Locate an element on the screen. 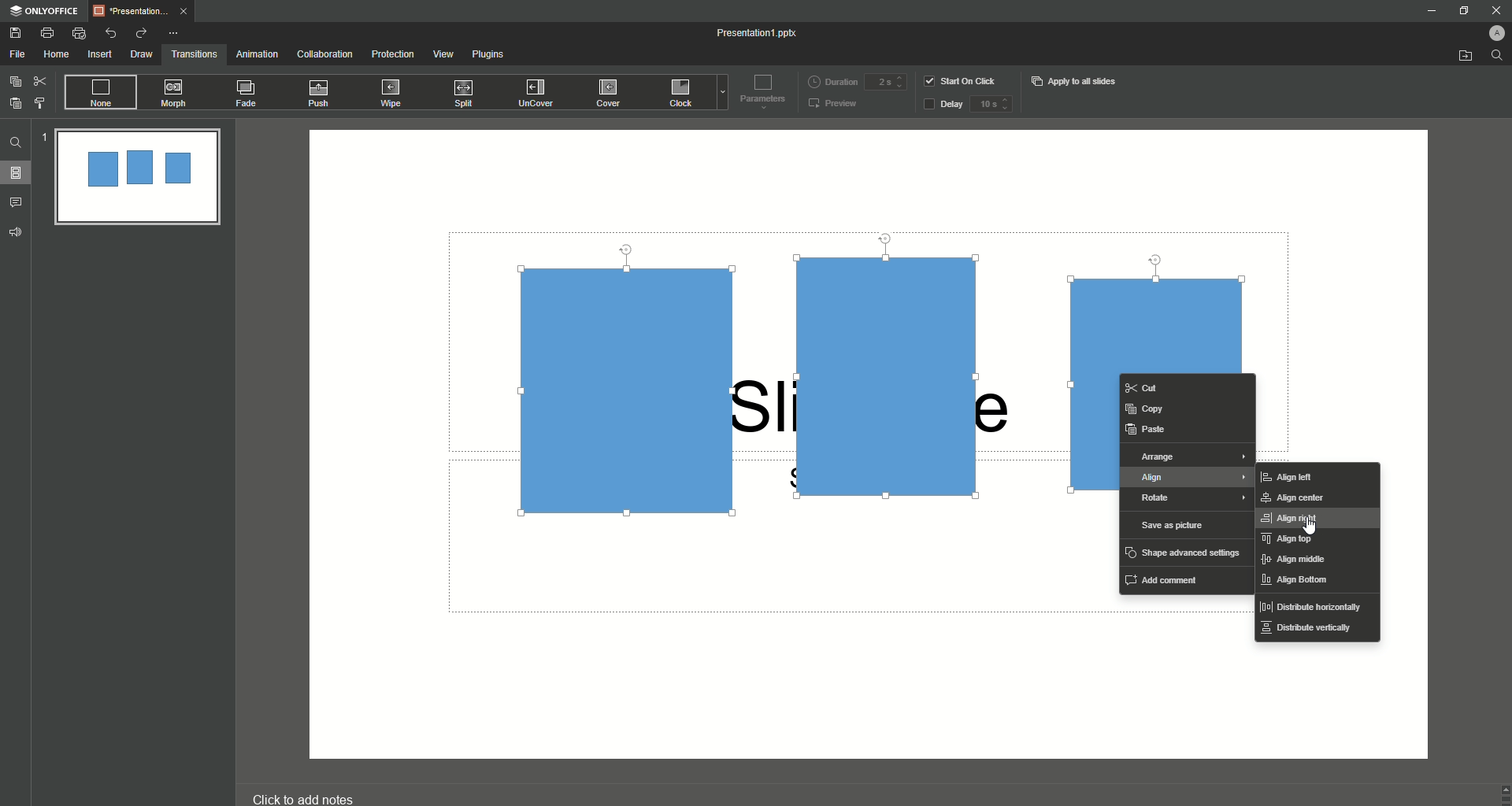 This screenshot has height=806, width=1512. shape 2 selected is located at coordinates (878, 376).